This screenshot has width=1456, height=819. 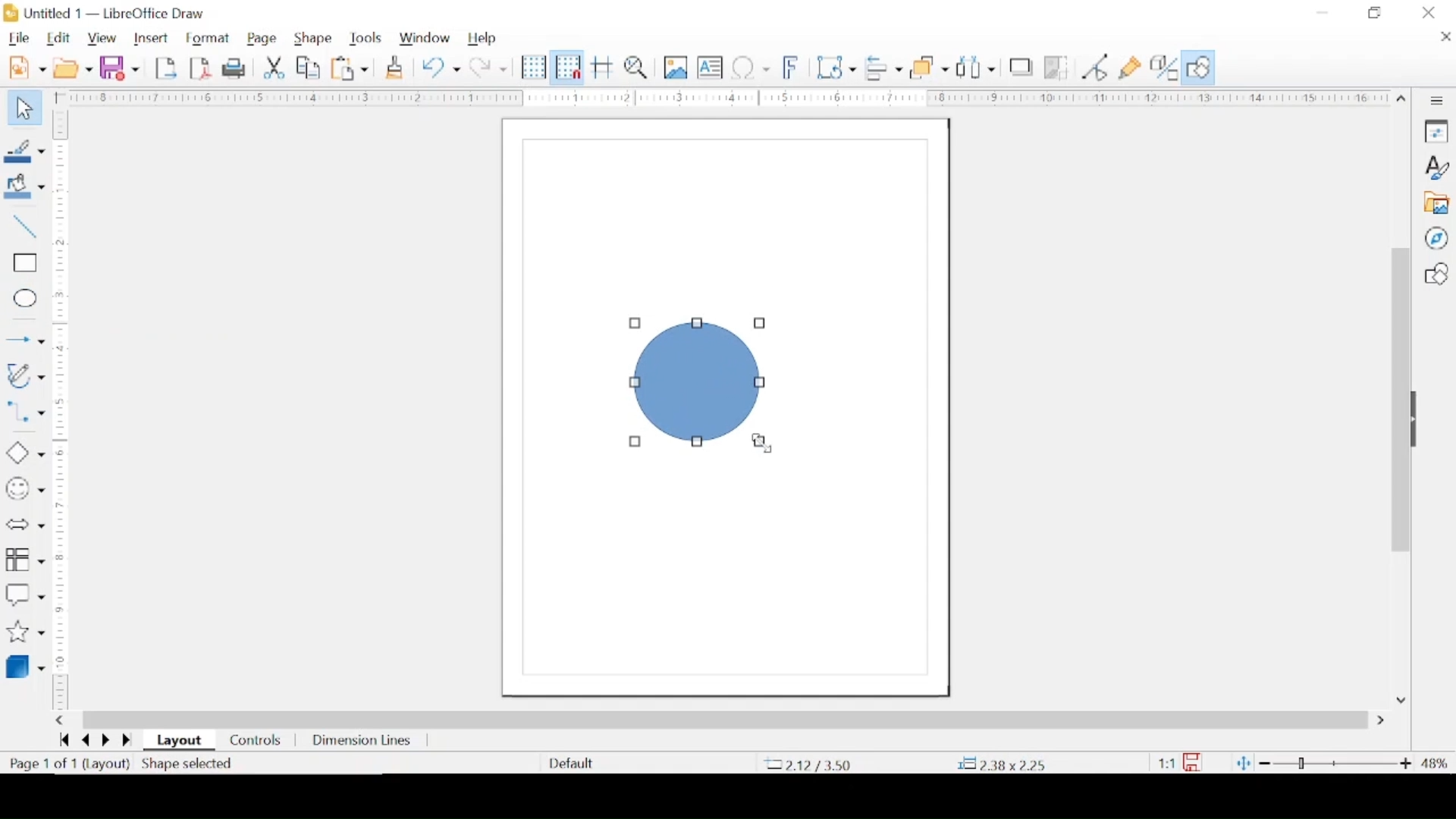 What do you see at coordinates (483, 39) in the screenshot?
I see `help` at bounding box center [483, 39].